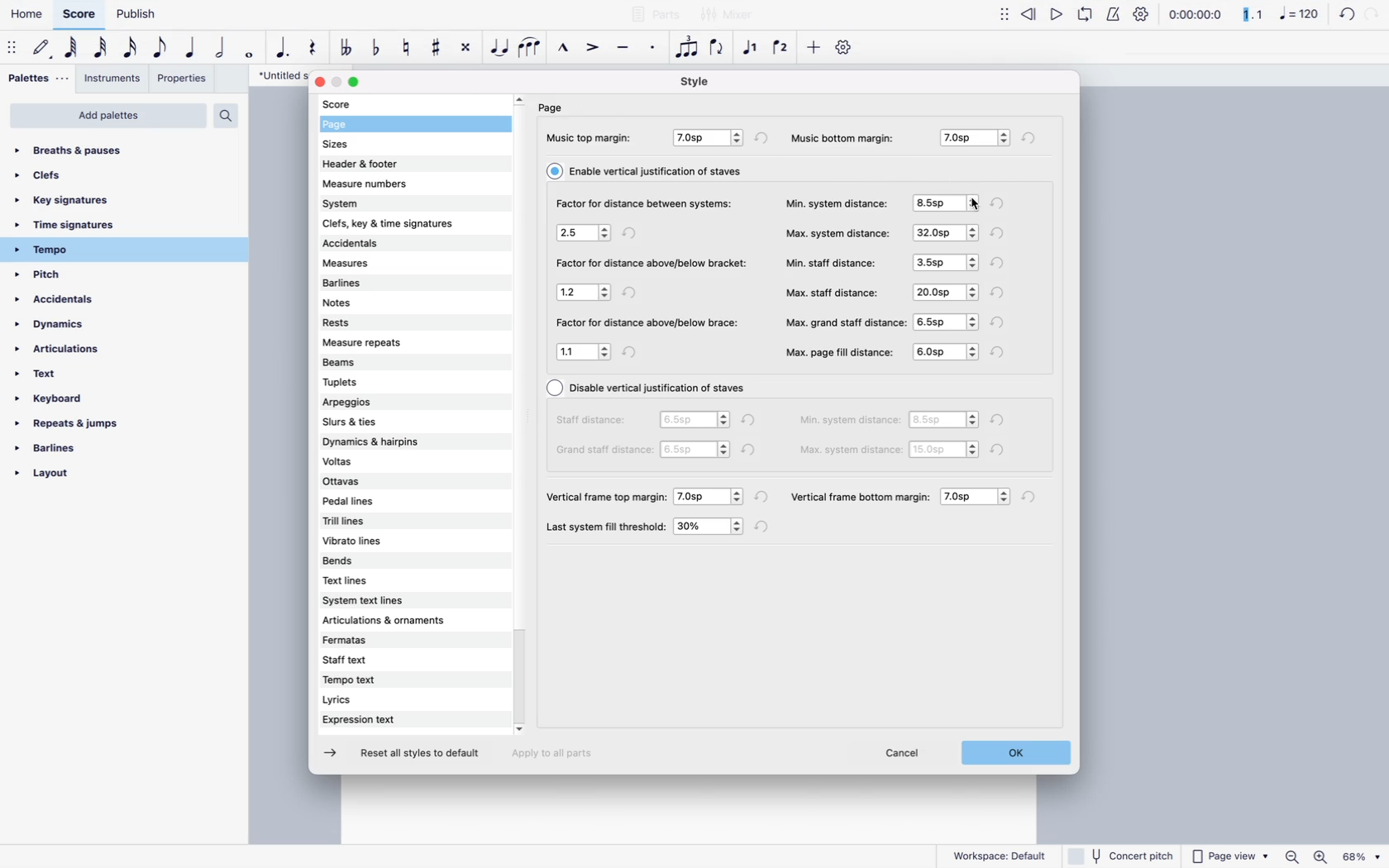 The image size is (1389, 868). Describe the element at coordinates (694, 419) in the screenshot. I see `options` at that location.